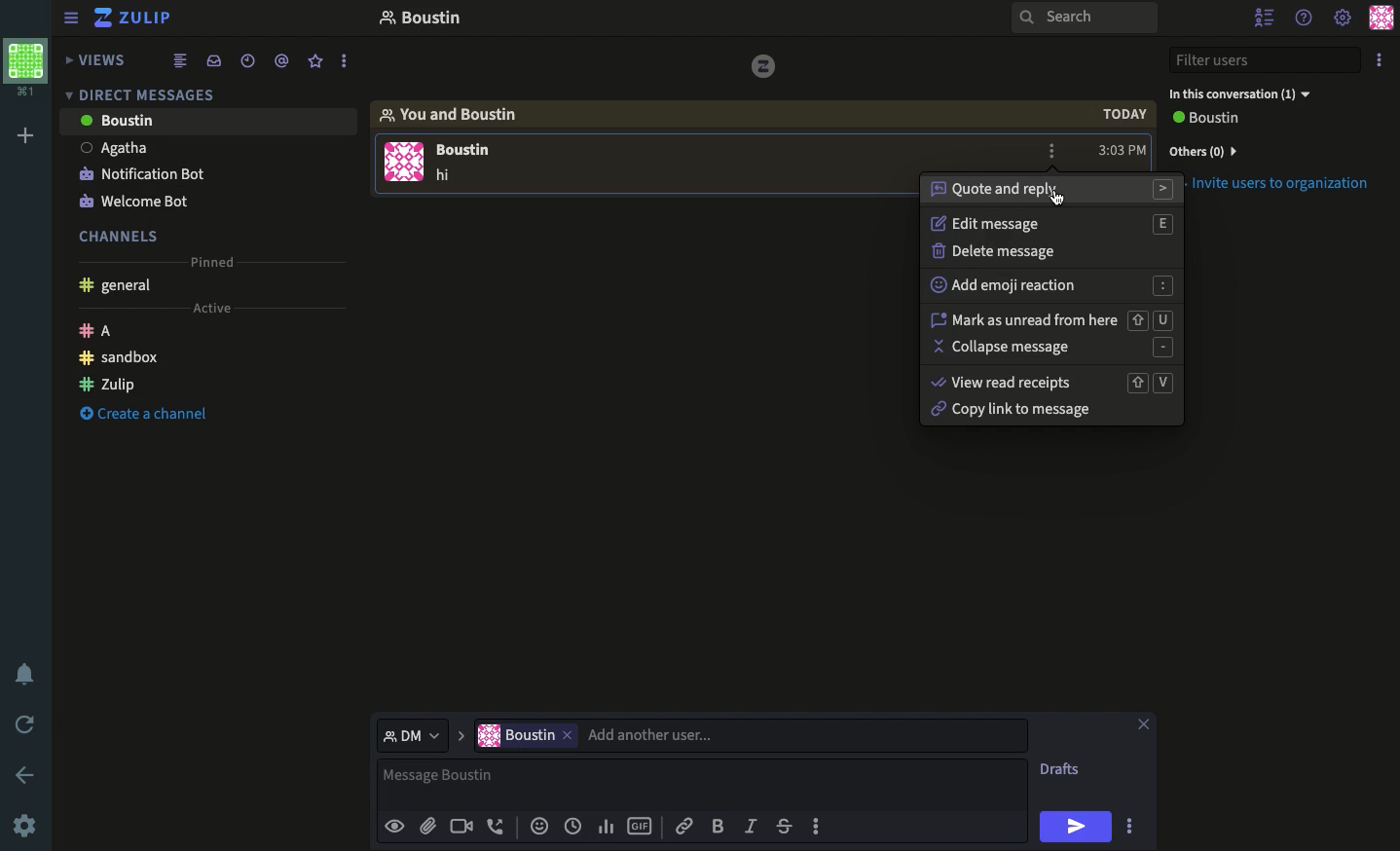 The height and width of the screenshot is (851, 1400). I want to click on A, so click(101, 329).